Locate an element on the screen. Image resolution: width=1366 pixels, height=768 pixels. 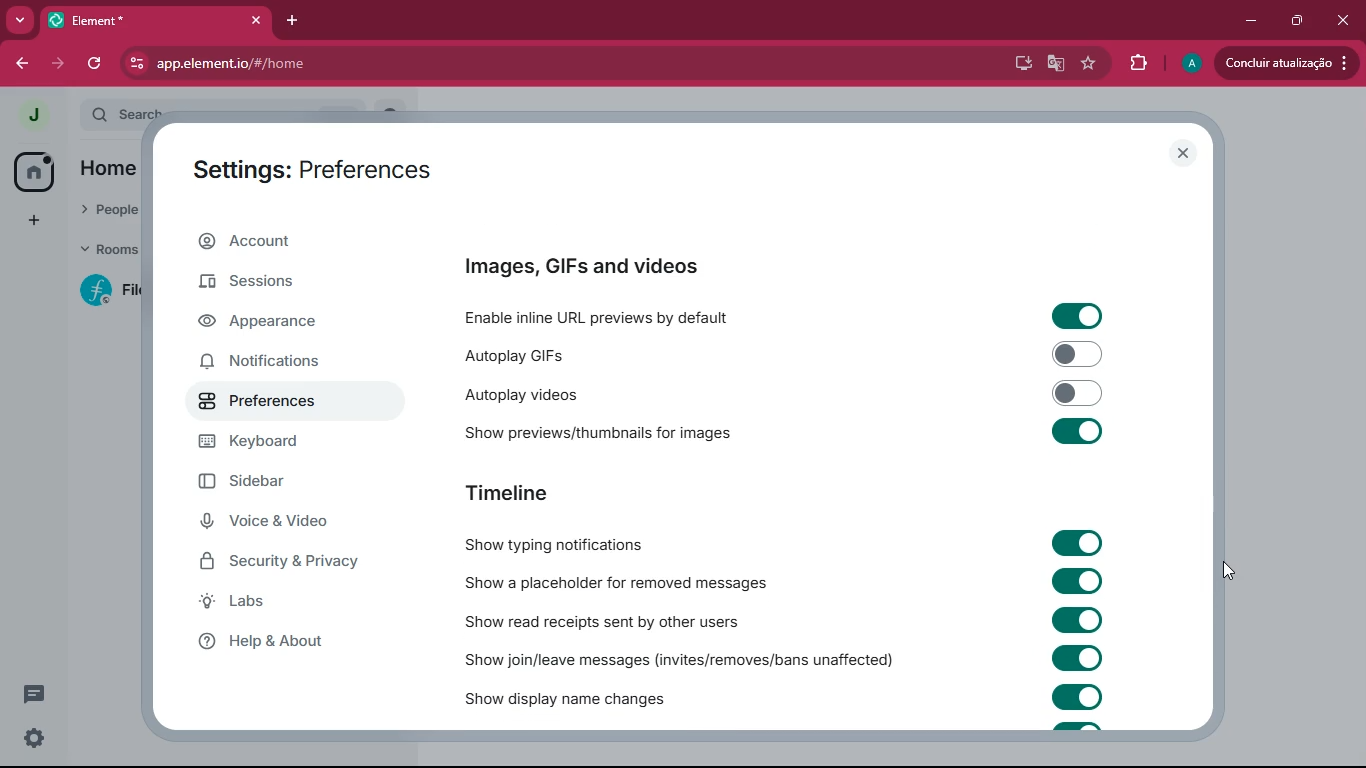
account is located at coordinates (290, 240).